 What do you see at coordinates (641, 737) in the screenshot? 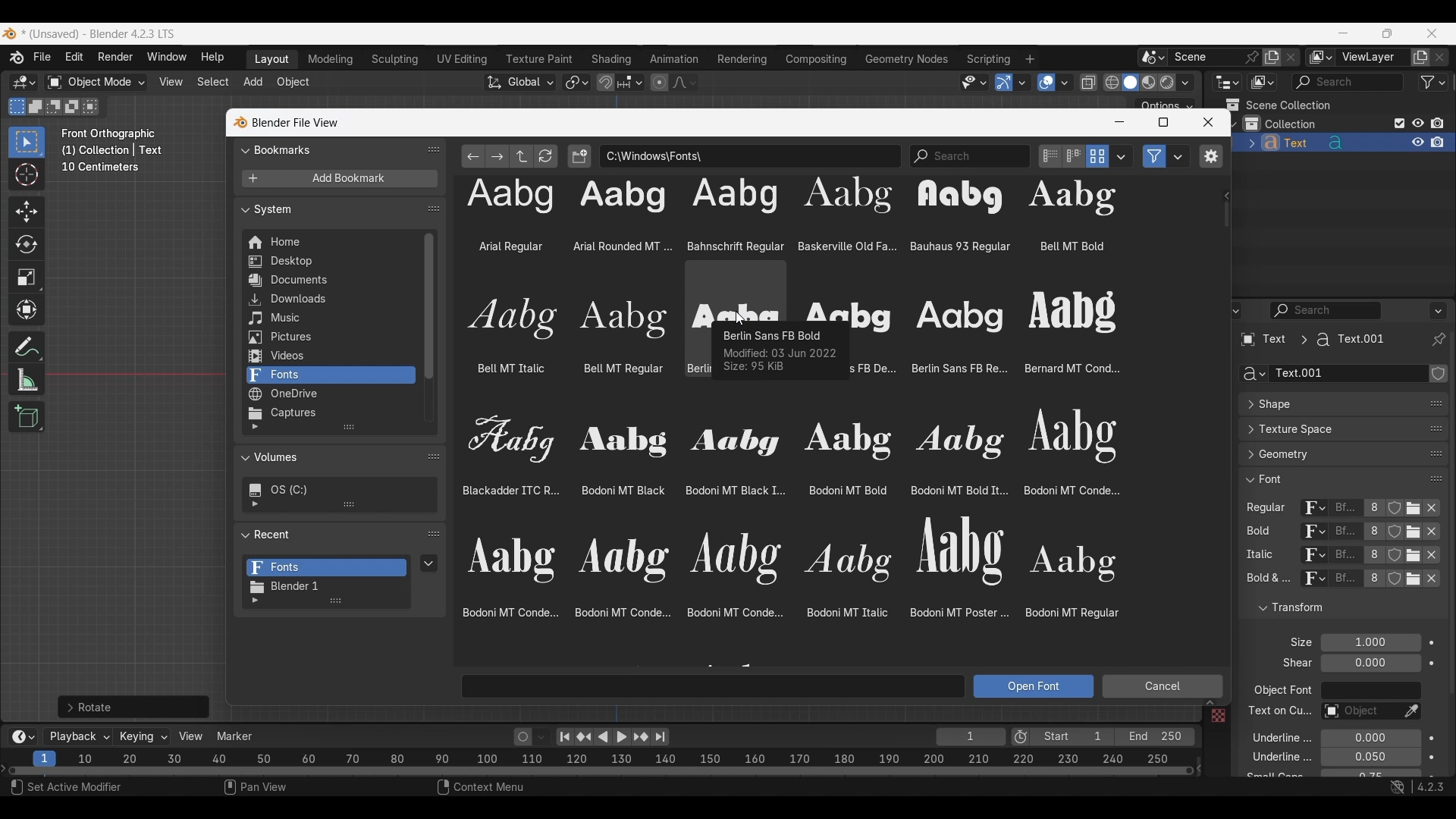
I see `Jump to key frame` at bounding box center [641, 737].